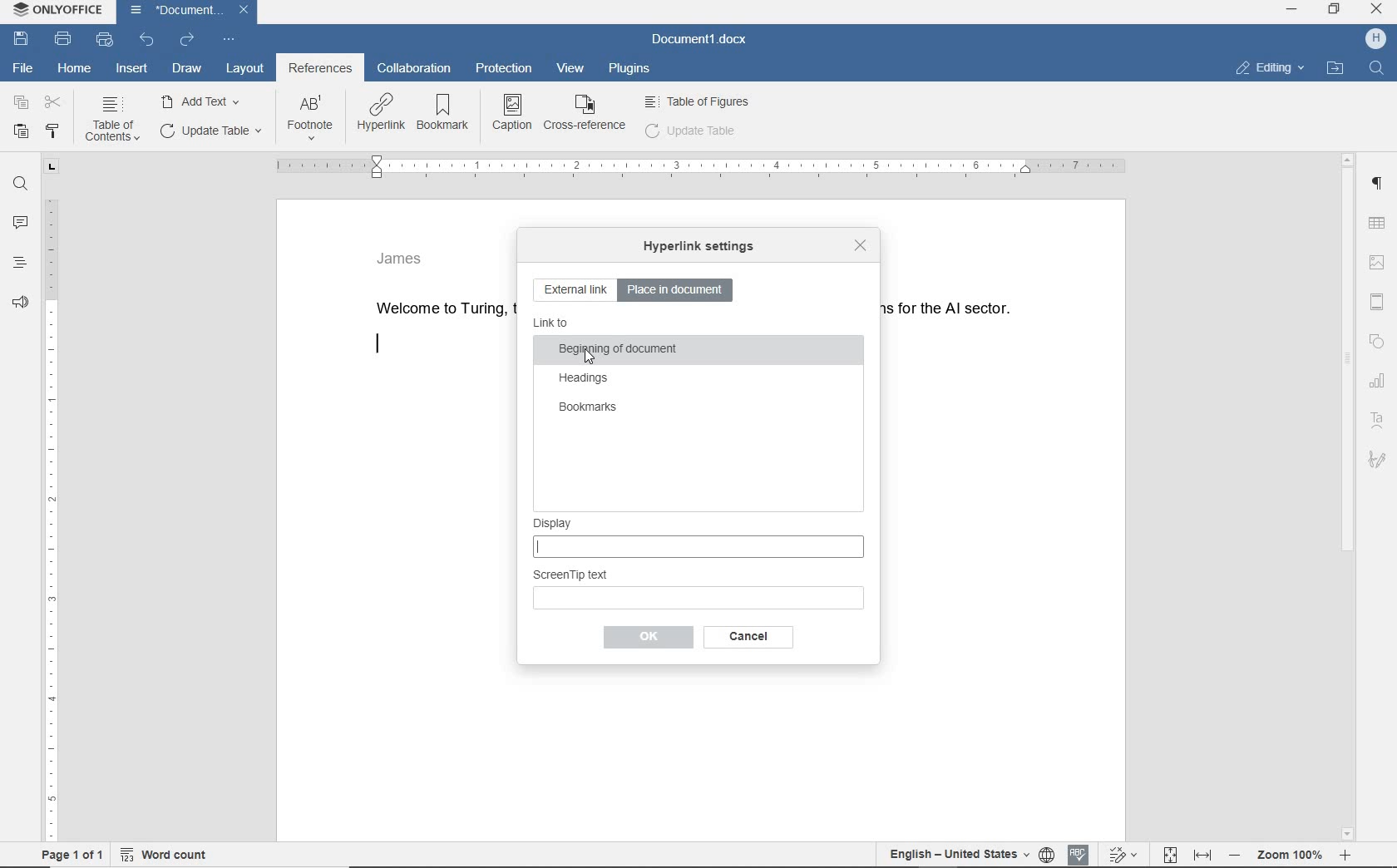 The width and height of the screenshot is (1397, 868). Describe the element at coordinates (382, 114) in the screenshot. I see `HYPERLINK` at that location.